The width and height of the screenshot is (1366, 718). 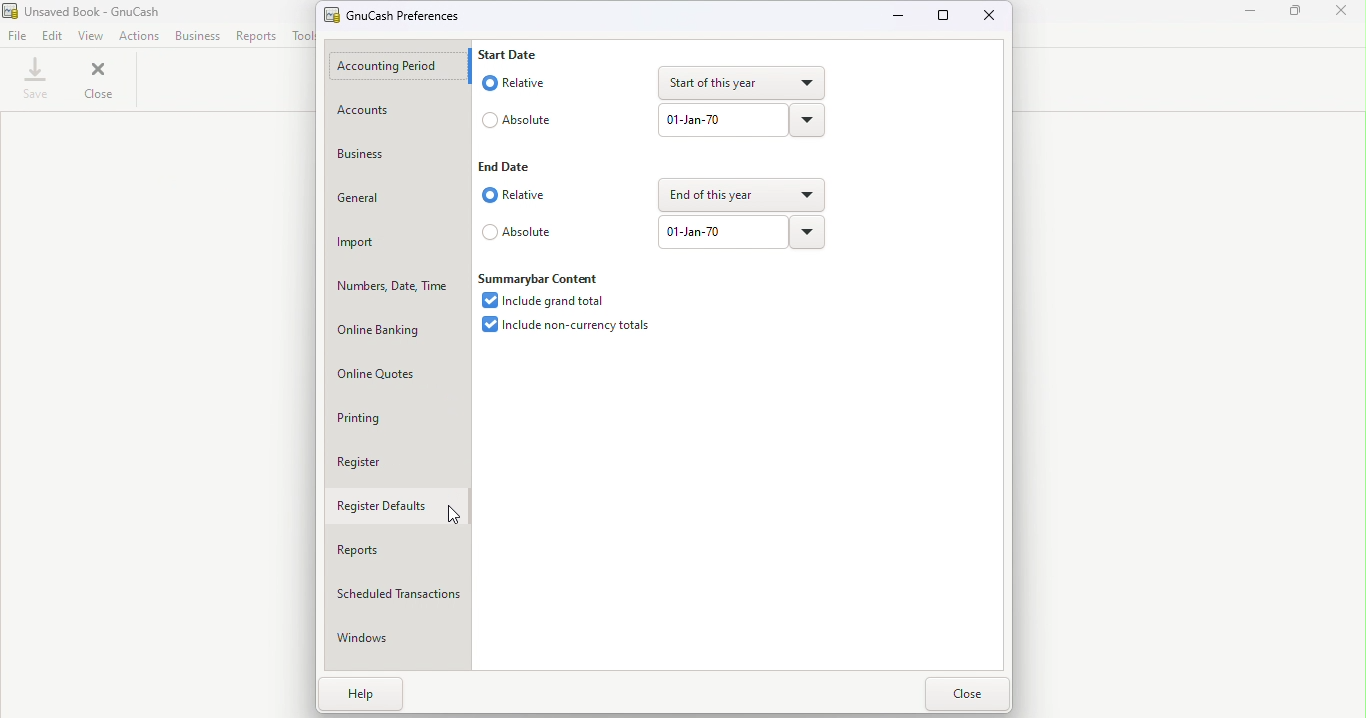 I want to click on General, so click(x=390, y=194).